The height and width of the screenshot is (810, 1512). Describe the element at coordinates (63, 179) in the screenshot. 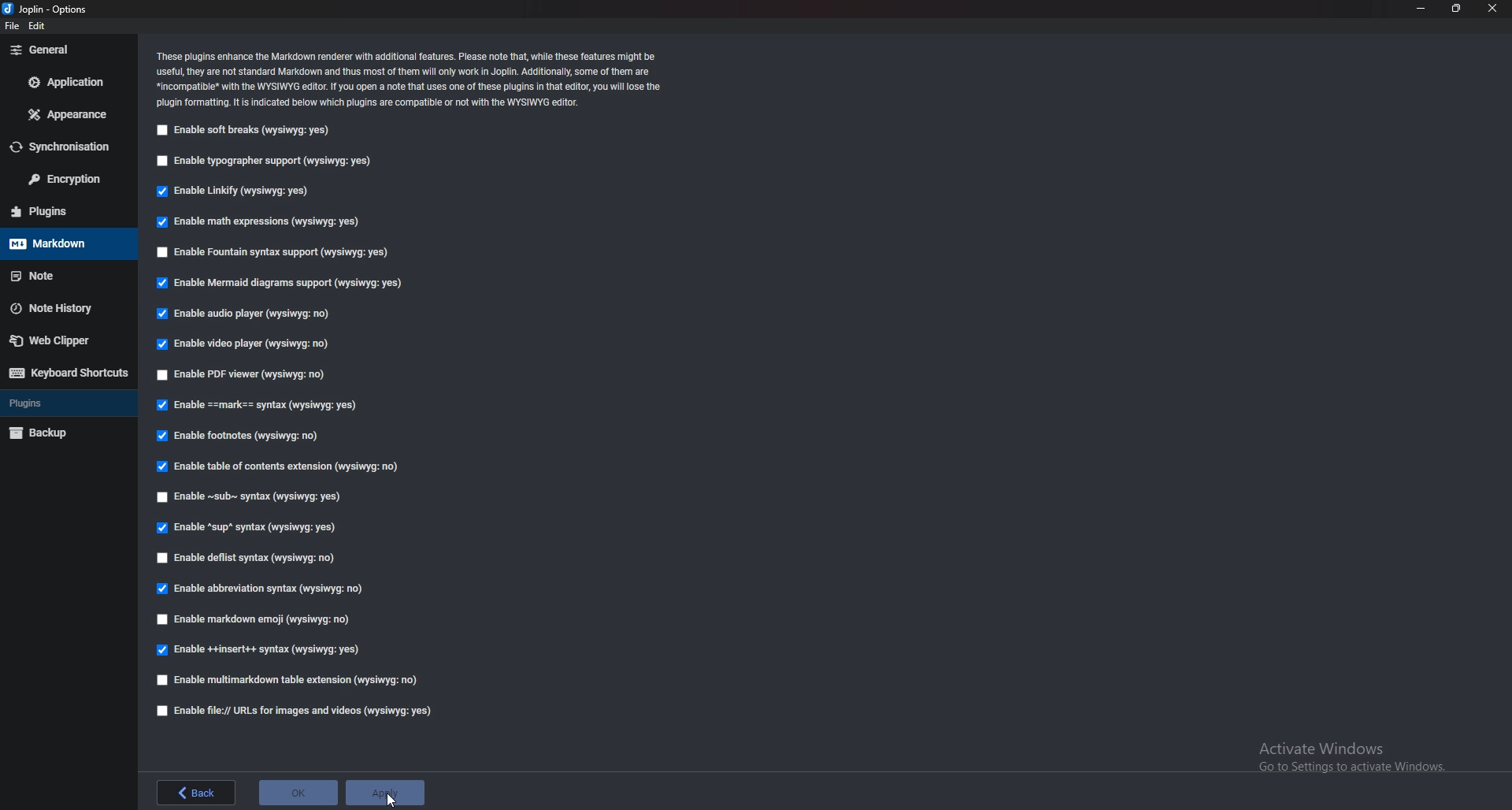

I see `Encryption` at that location.